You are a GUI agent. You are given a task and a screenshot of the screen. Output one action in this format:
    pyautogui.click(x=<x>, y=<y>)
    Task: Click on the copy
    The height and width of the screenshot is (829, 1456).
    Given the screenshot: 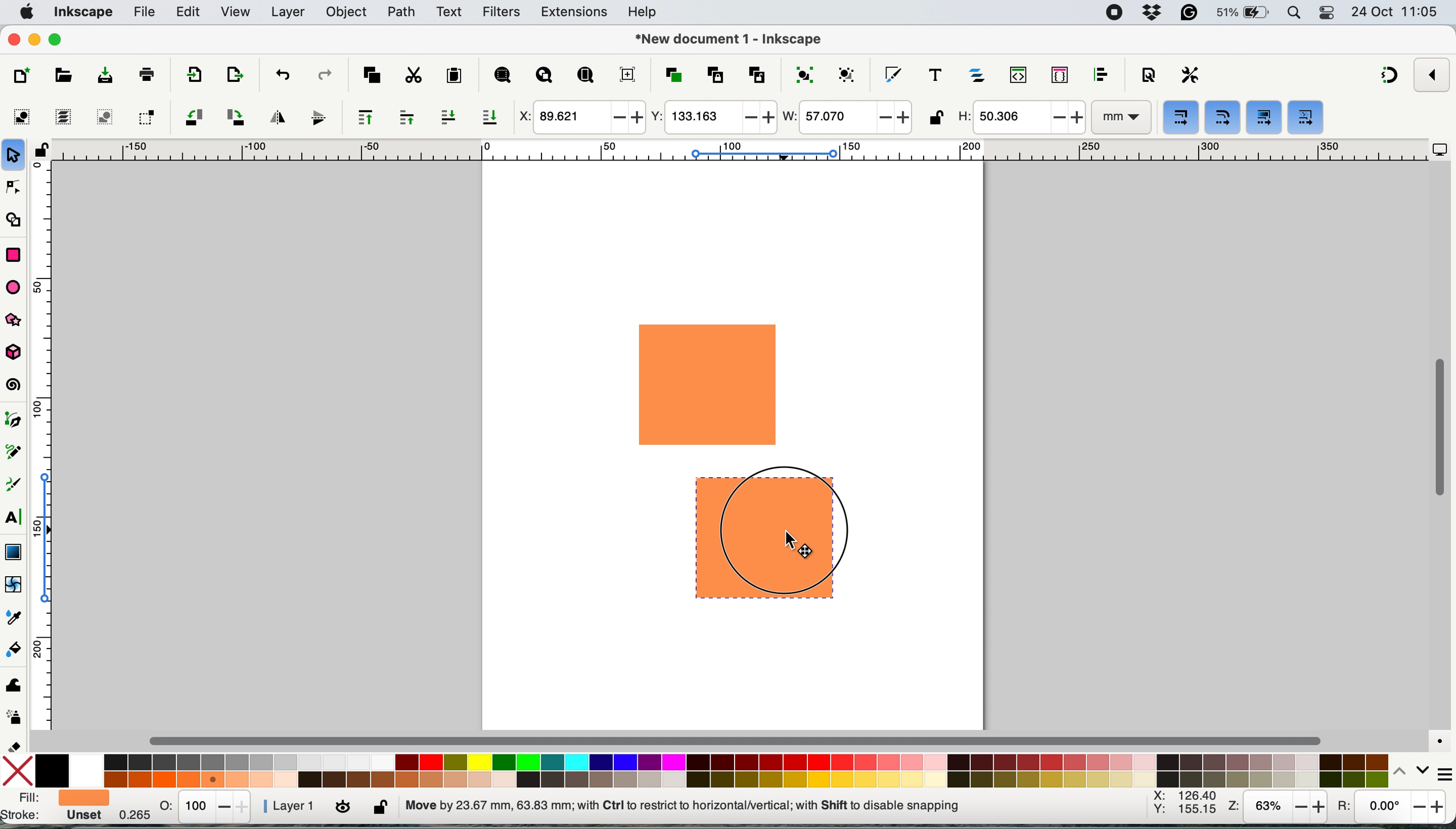 What is the action you would take?
    pyautogui.click(x=372, y=73)
    